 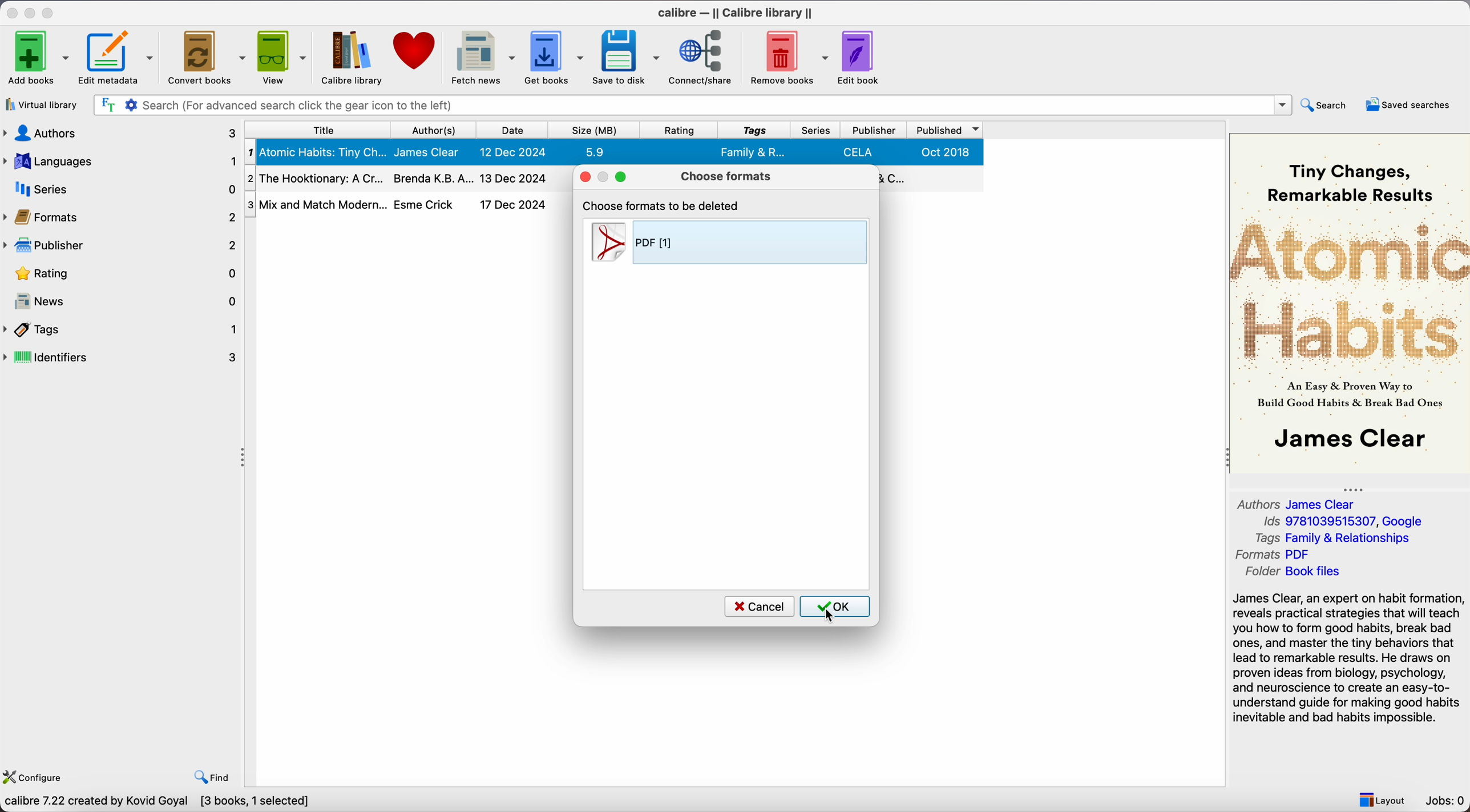 What do you see at coordinates (947, 130) in the screenshot?
I see `published` at bounding box center [947, 130].